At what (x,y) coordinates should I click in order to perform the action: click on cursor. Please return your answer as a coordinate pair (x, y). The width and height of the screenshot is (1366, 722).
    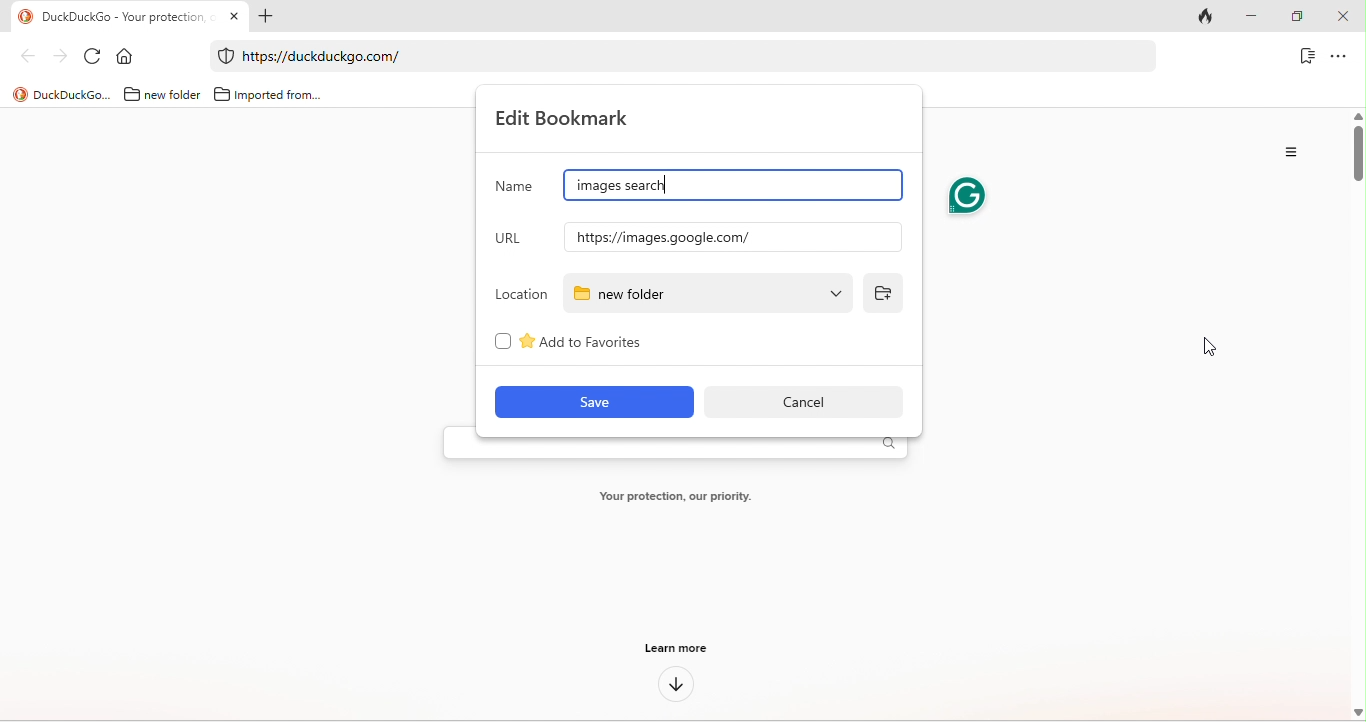
    Looking at the image, I should click on (1209, 346).